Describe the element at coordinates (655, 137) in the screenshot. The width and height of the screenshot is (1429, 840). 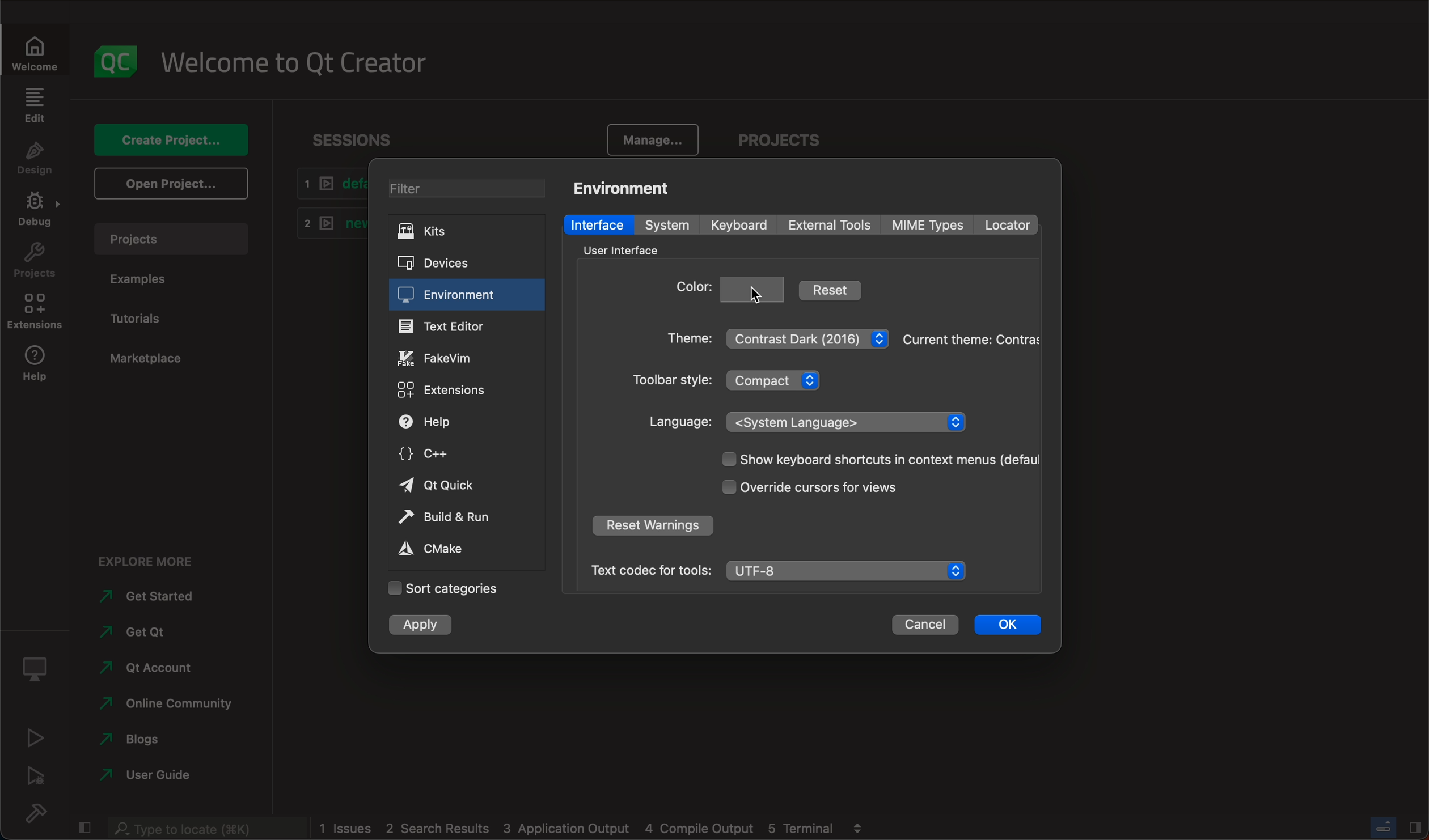
I see `manage` at that location.